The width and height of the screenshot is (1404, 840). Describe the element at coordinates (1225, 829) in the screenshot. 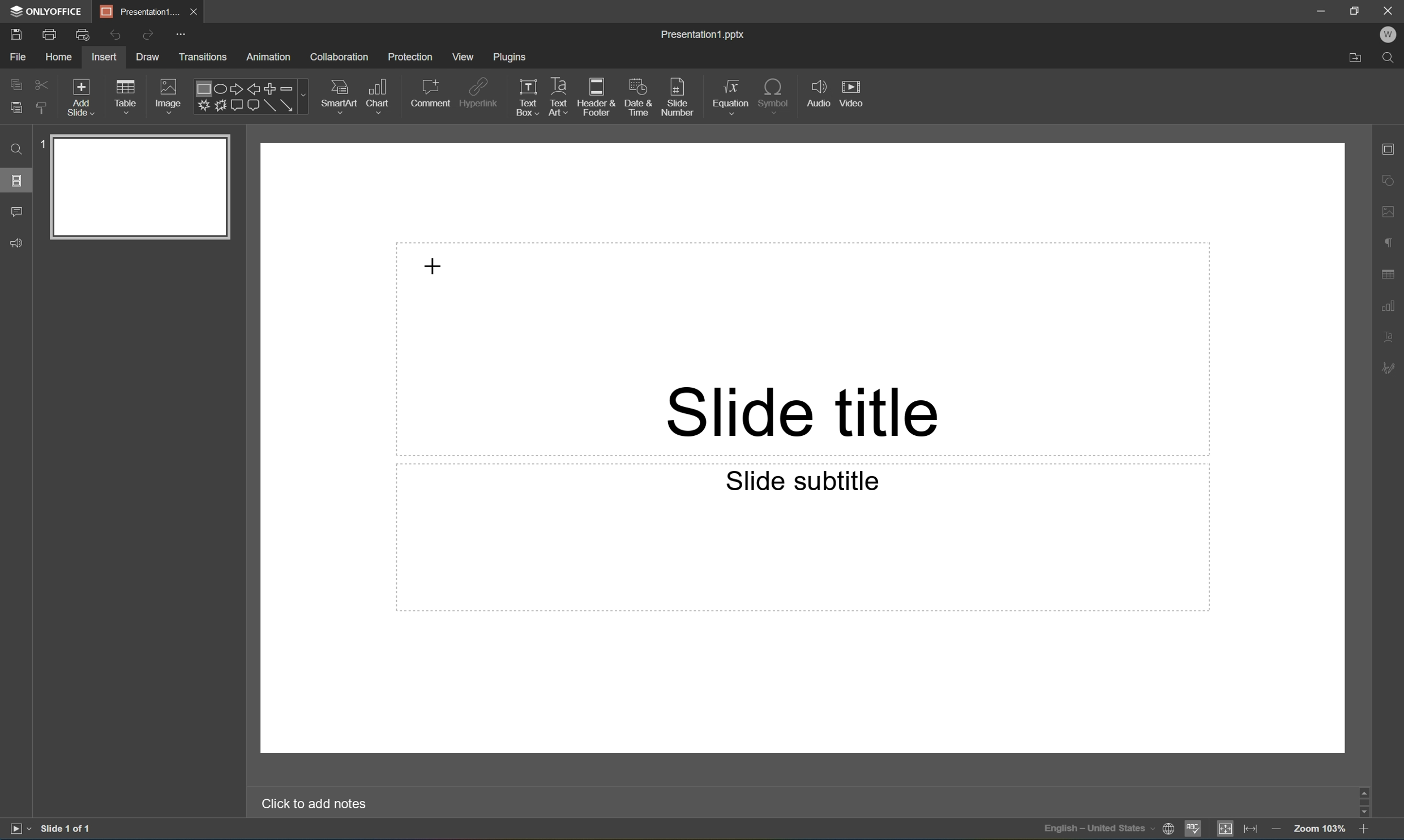

I see `Fit to slide` at that location.